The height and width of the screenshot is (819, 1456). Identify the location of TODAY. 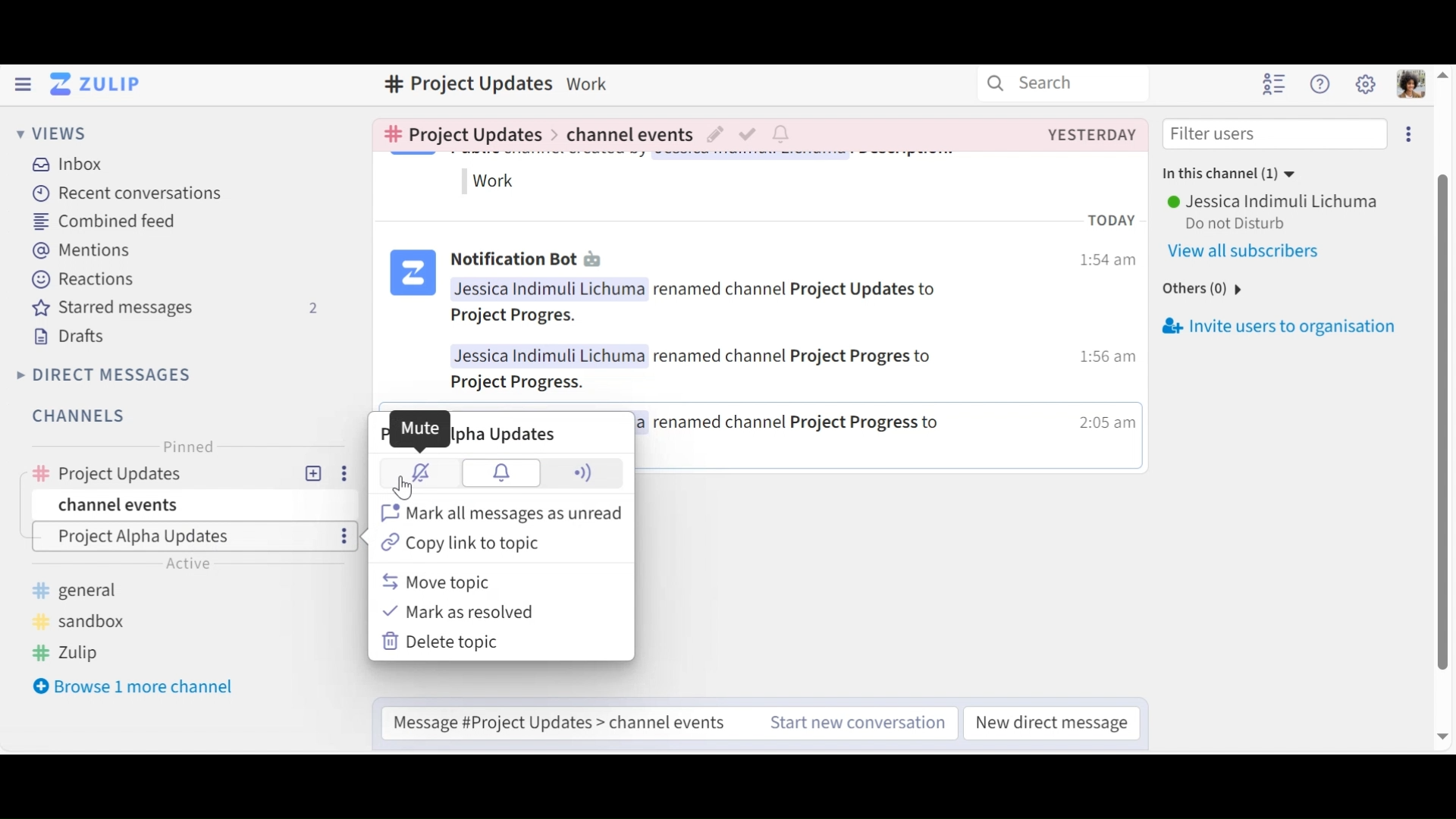
(1117, 223).